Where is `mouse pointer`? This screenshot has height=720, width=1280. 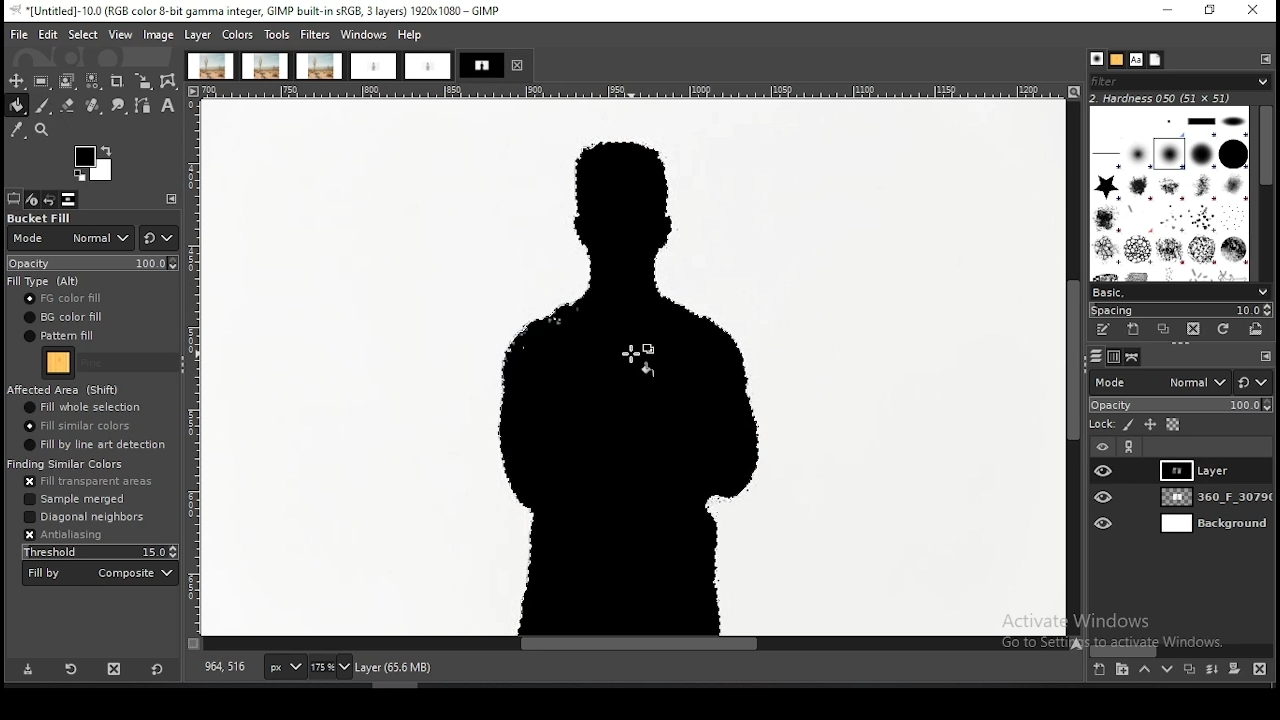 mouse pointer is located at coordinates (640, 361).